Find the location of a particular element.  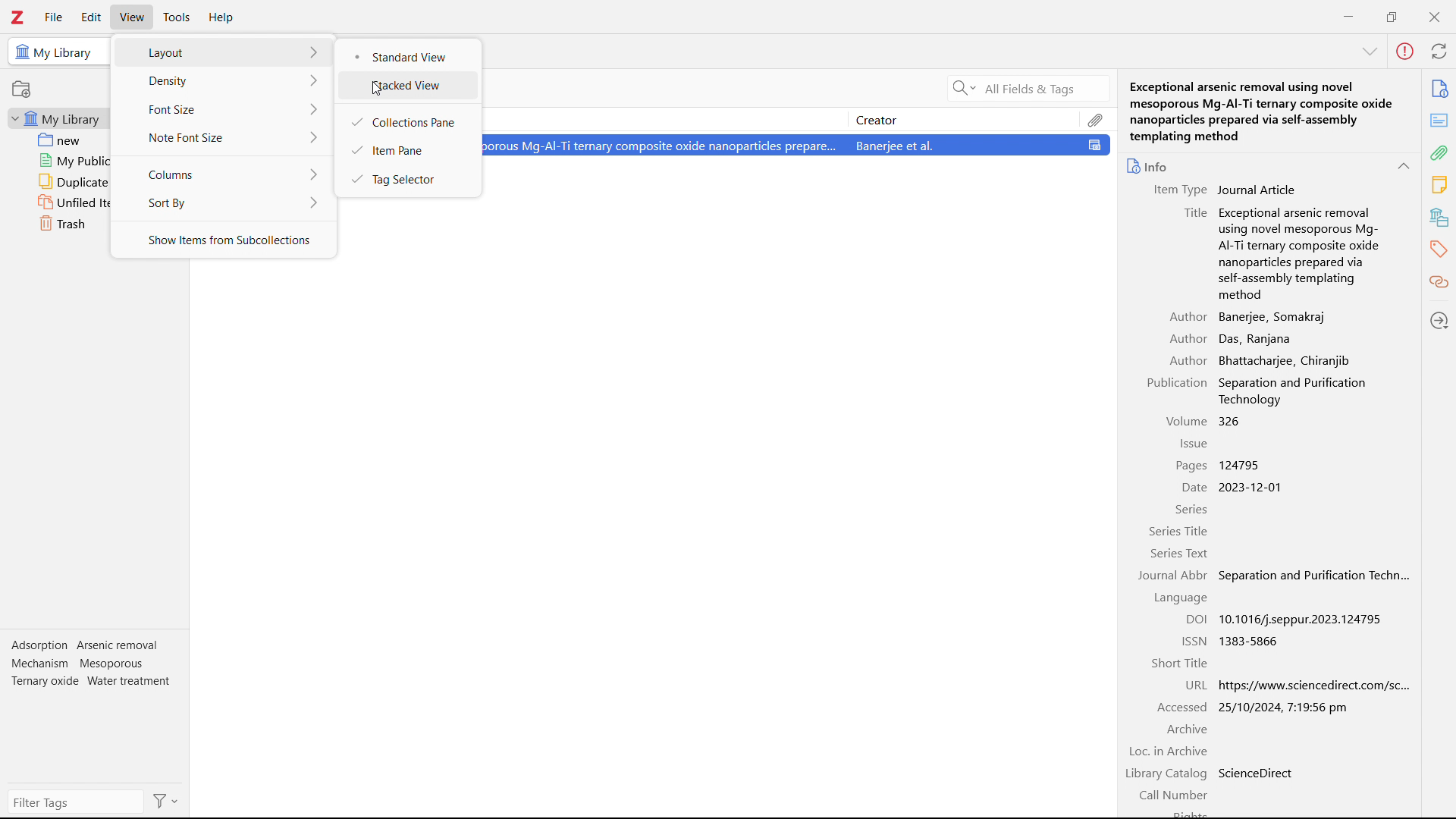

2023-12-01 is located at coordinates (1257, 487).